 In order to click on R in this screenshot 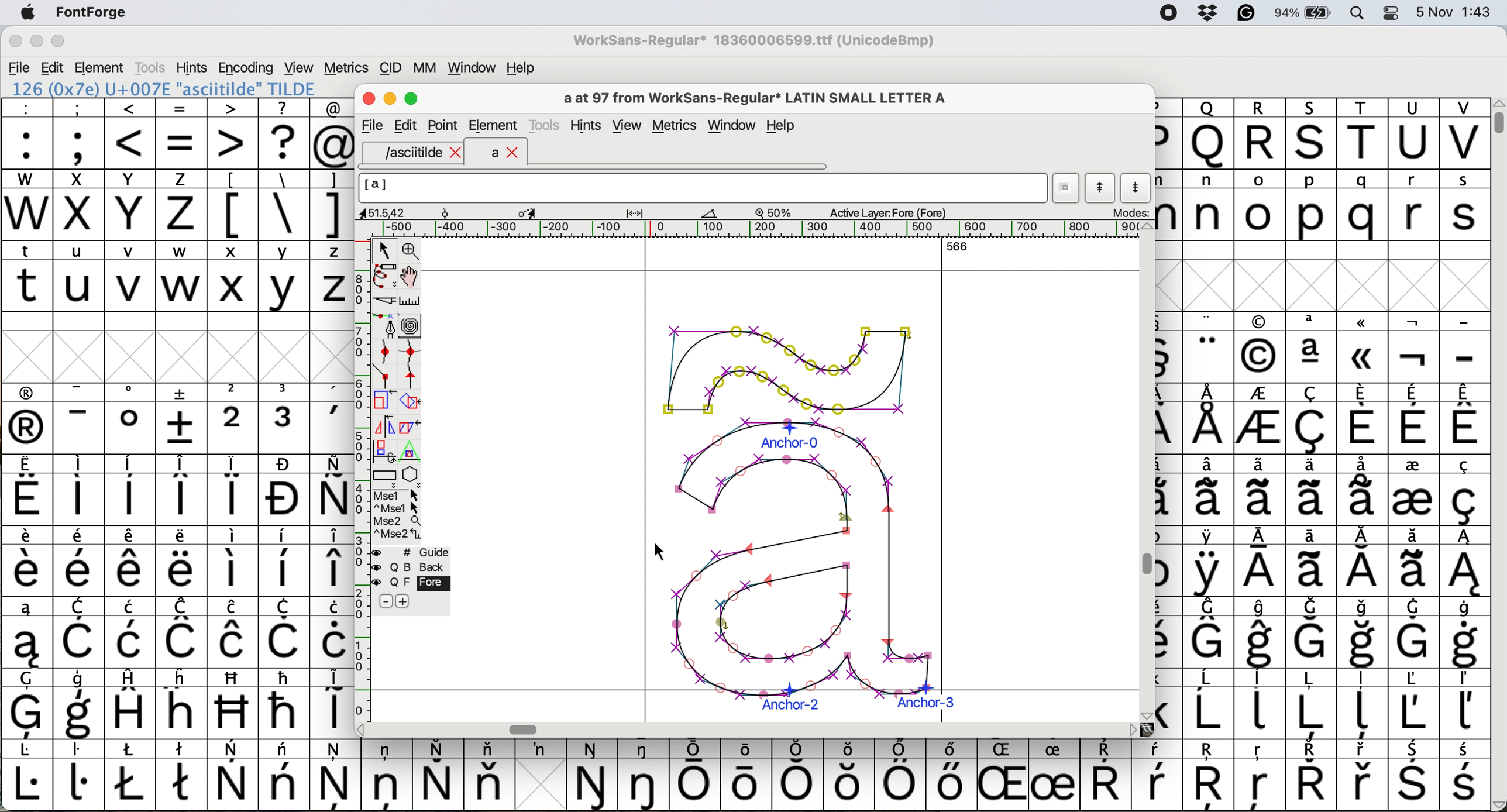, I will do `click(1260, 134)`.